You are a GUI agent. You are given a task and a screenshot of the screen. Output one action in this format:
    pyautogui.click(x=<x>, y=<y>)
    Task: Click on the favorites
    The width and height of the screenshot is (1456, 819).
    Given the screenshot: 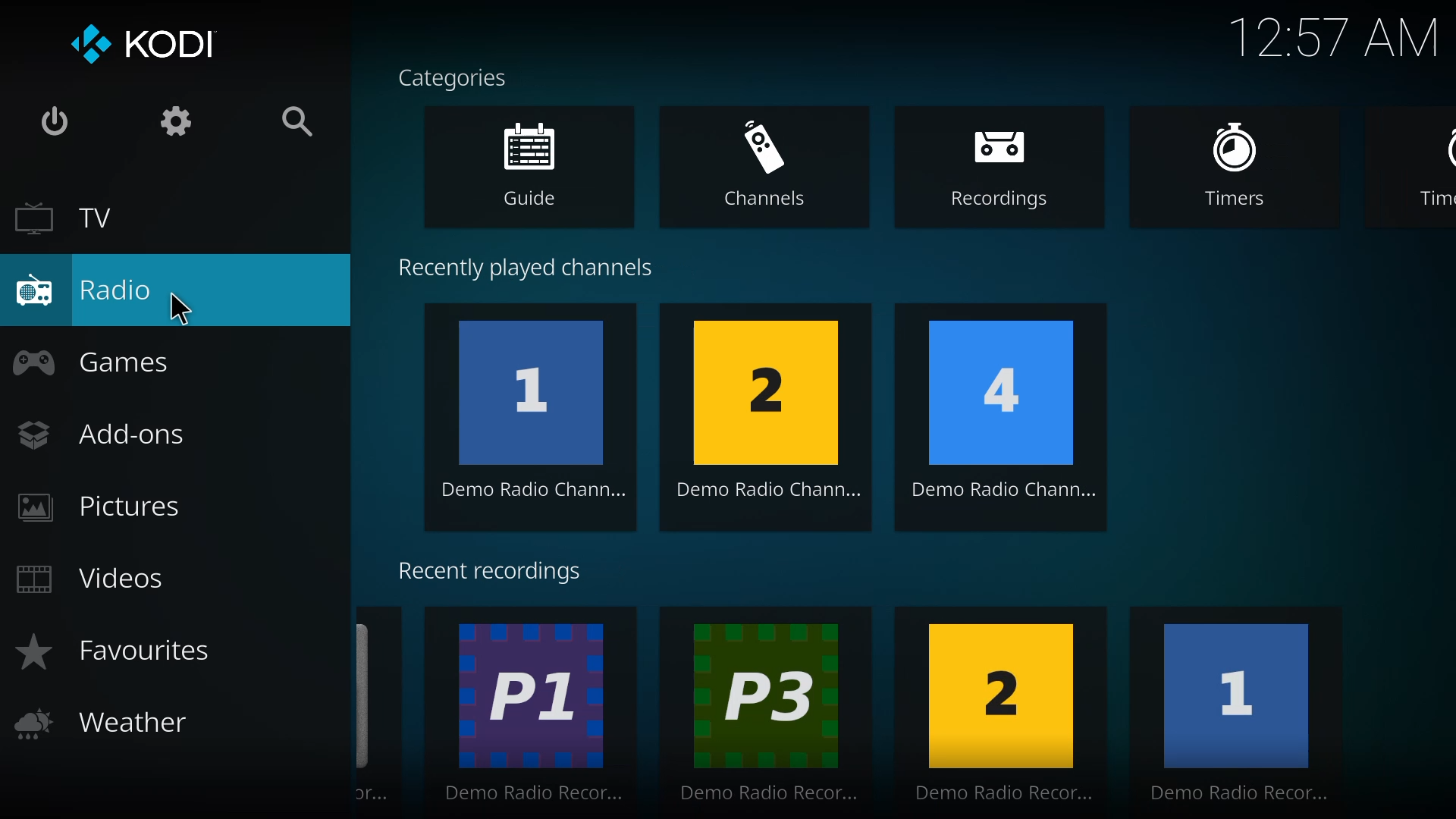 What is the action you would take?
    pyautogui.click(x=112, y=651)
    